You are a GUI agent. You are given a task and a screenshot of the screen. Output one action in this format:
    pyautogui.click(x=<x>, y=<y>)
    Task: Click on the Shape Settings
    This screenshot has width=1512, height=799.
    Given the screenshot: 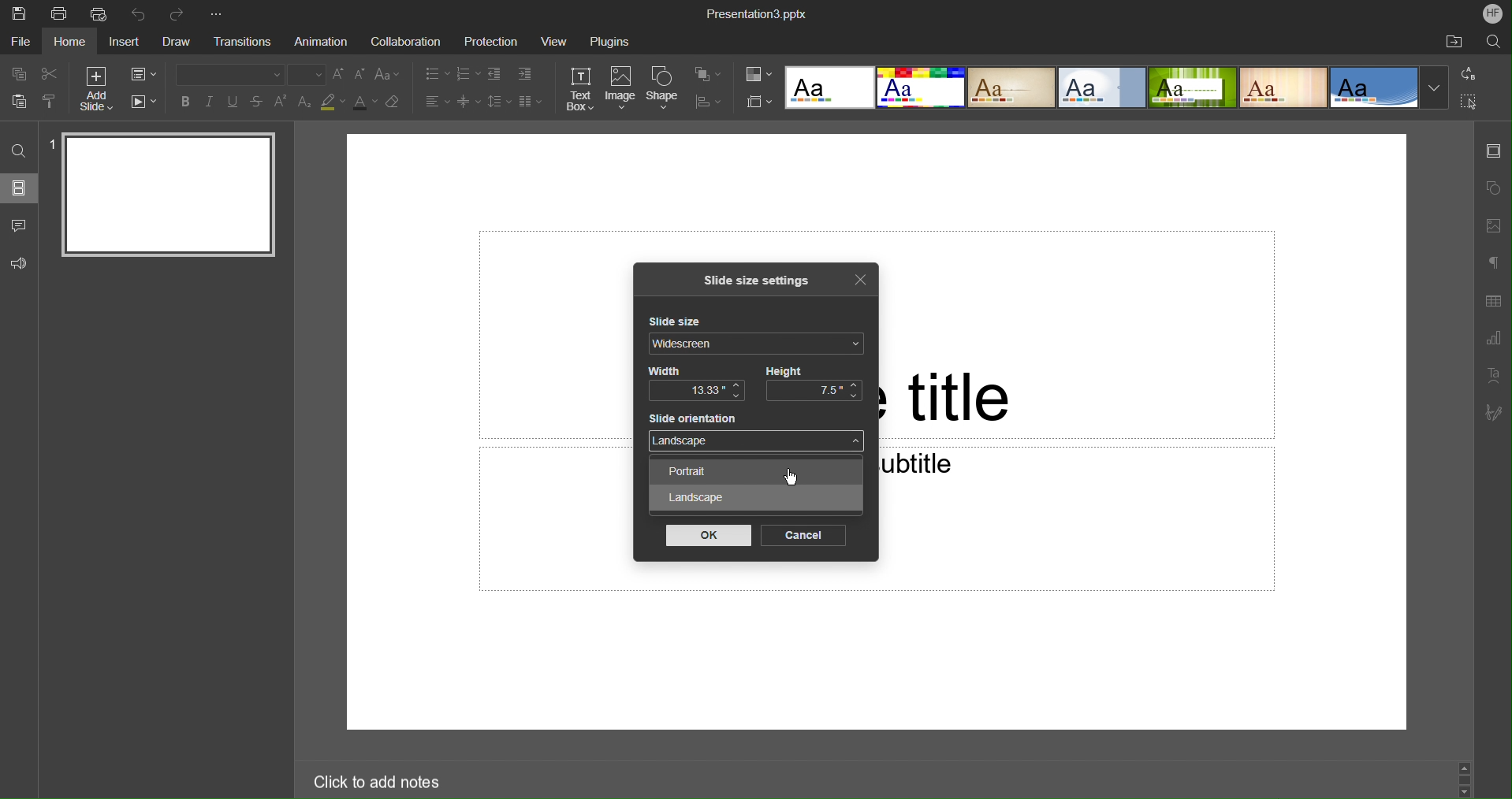 What is the action you would take?
    pyautogui.click(x=1493, y=187)
    